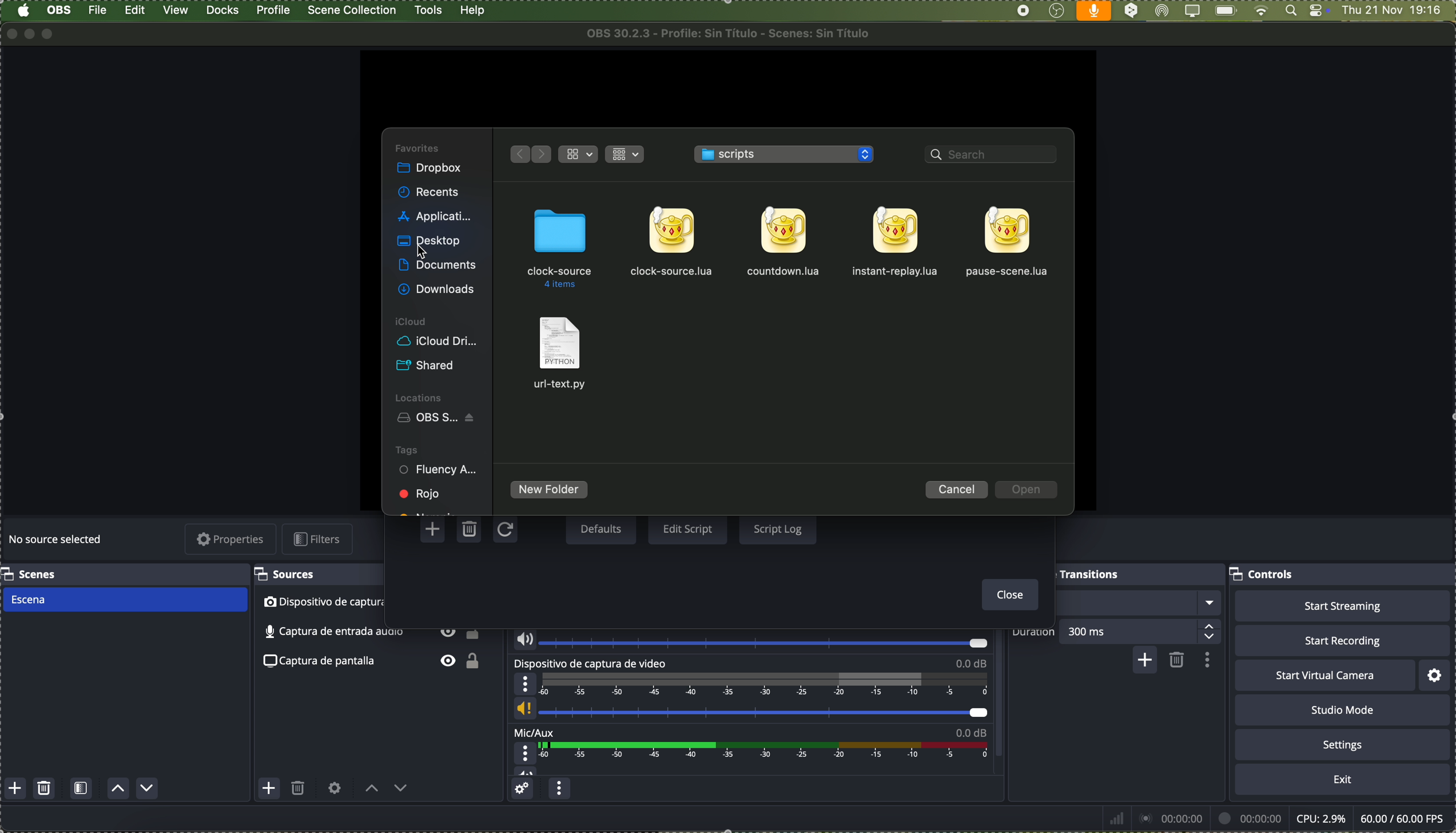 This screenshot has width=1456, height=833. Describe the element at coordinates (148, 788) in the screenshot. I see `move scene down` at that location.